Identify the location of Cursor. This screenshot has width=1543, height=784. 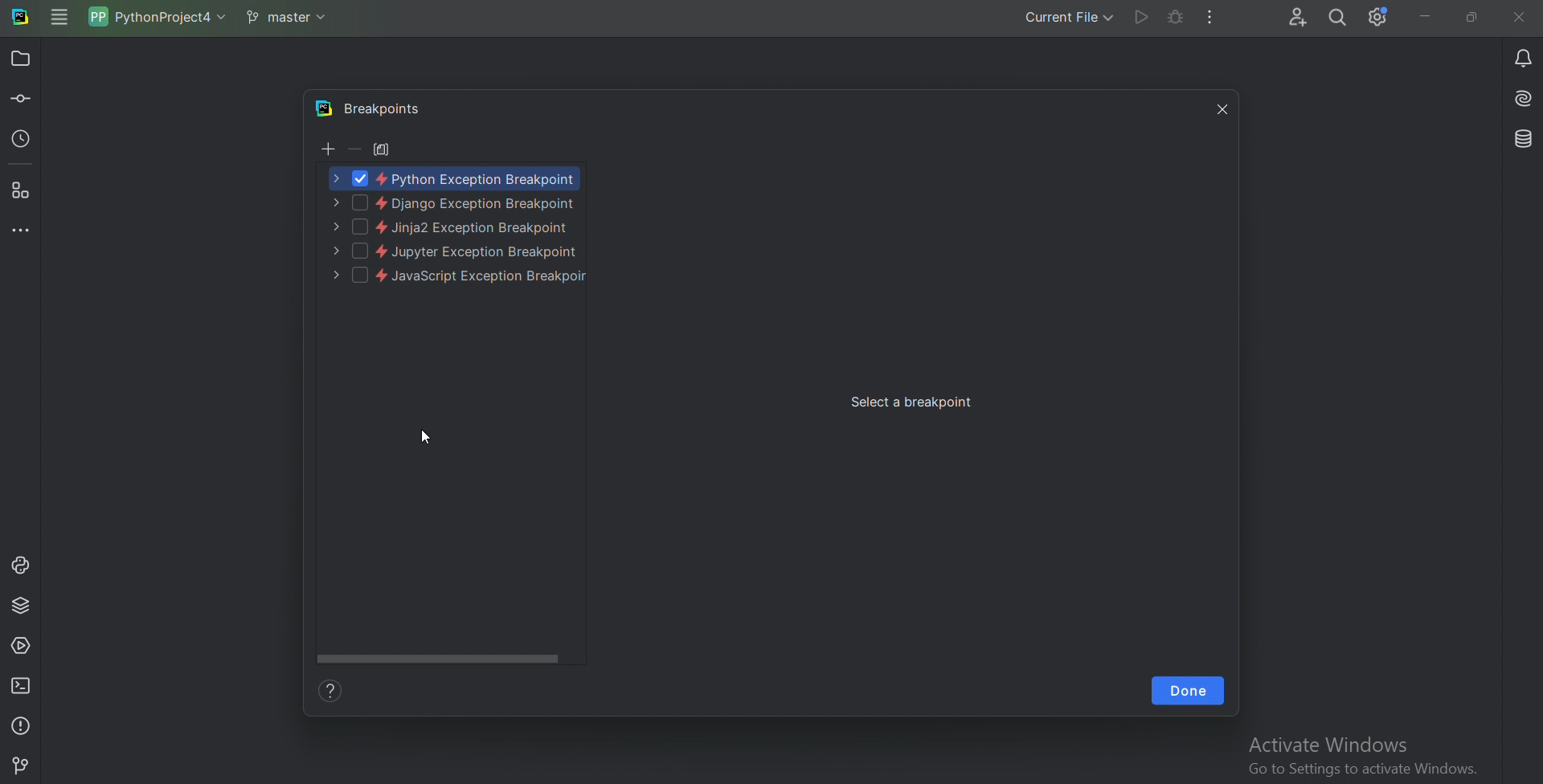
(426, 439).